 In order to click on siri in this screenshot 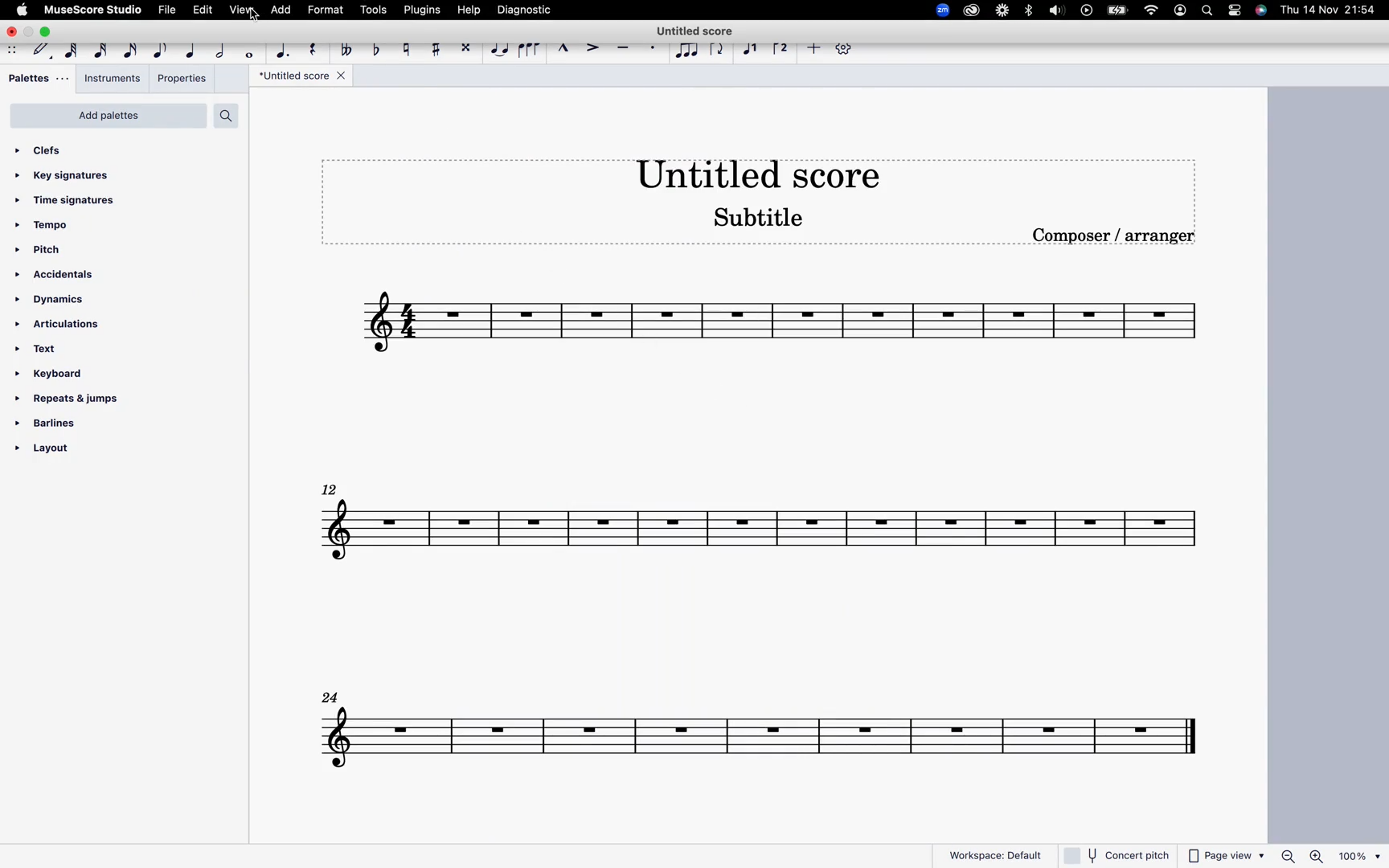, I will do `click(1260, 10)`.